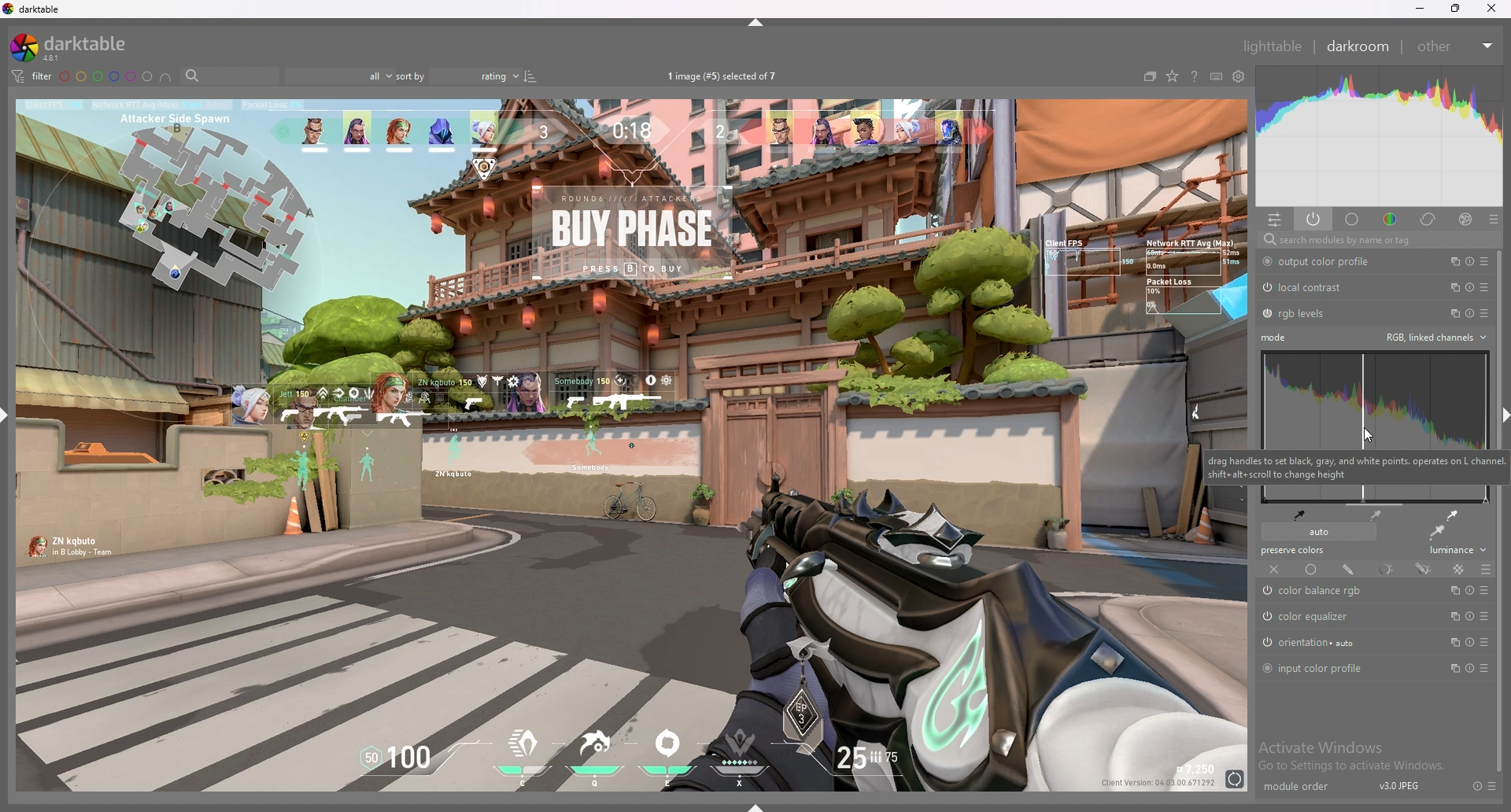 Image resolution: width=1511 pixels, height=812 pixels. Describe the element at coordinates (1265, 669) in the screenshot. I see `switched on` at that location.